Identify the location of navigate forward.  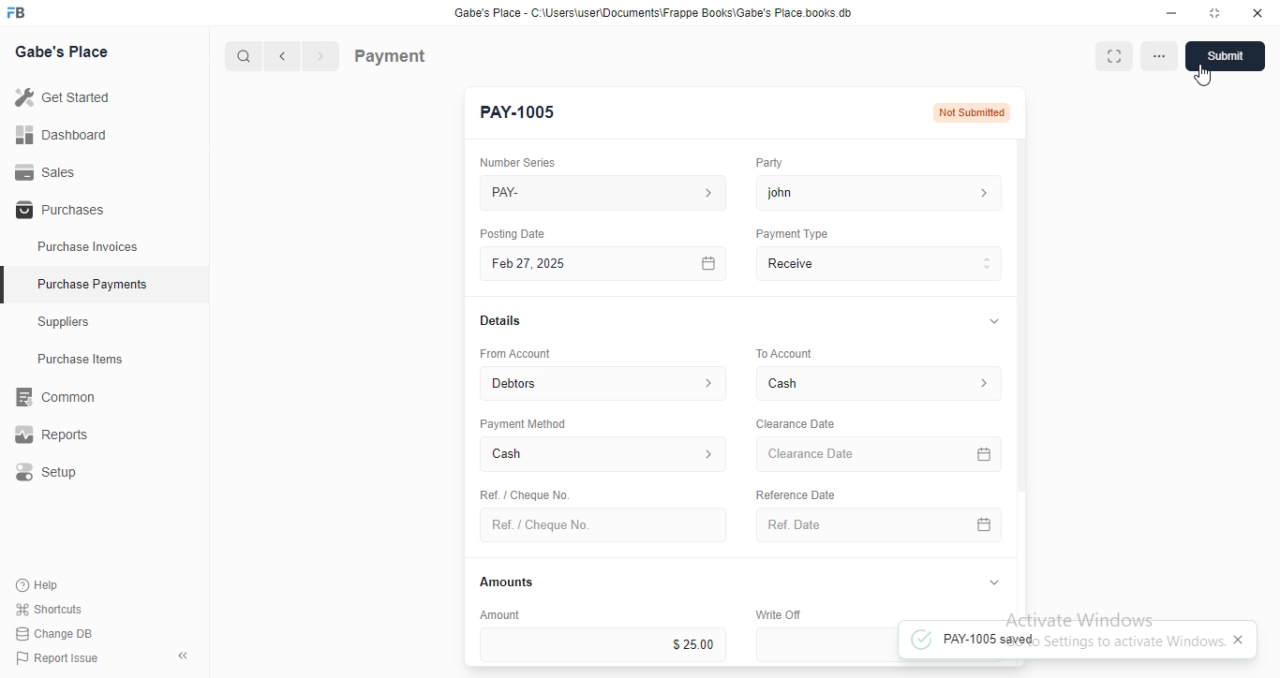
(322, 57).